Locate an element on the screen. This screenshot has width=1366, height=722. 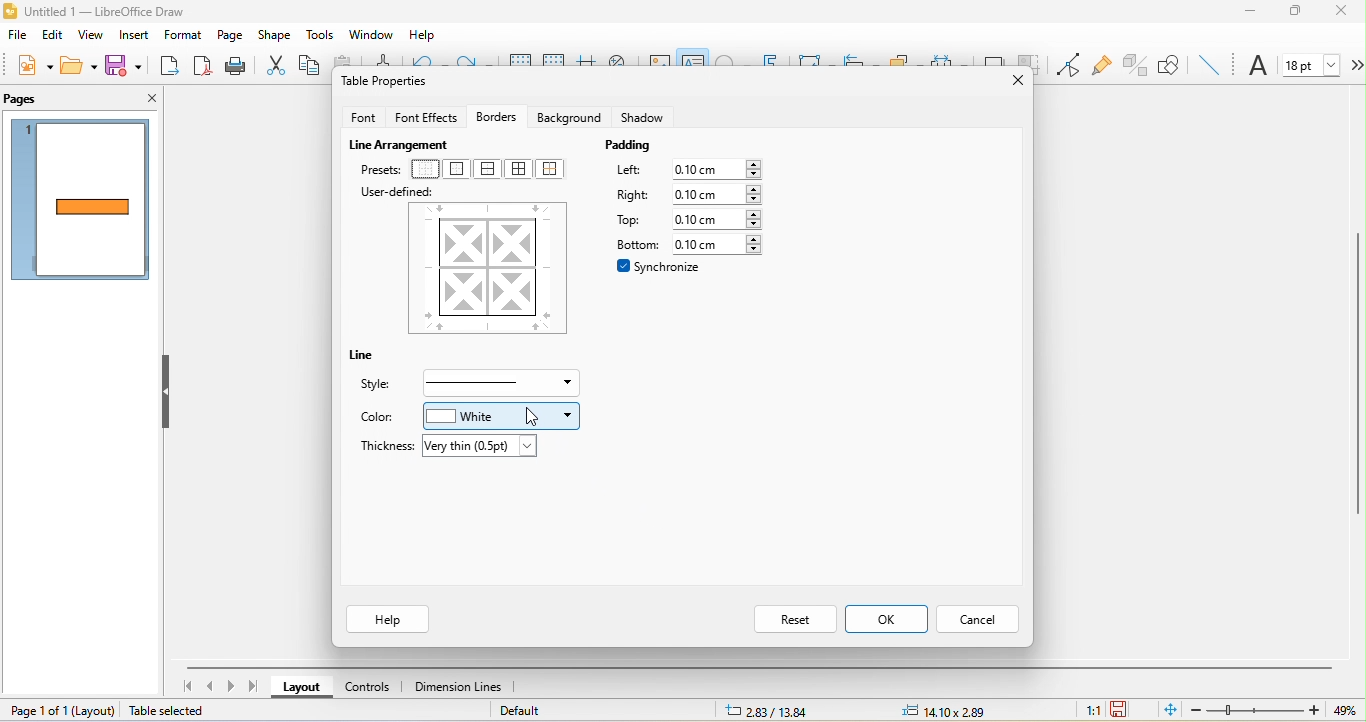
open is located at coordinates (82, 66).